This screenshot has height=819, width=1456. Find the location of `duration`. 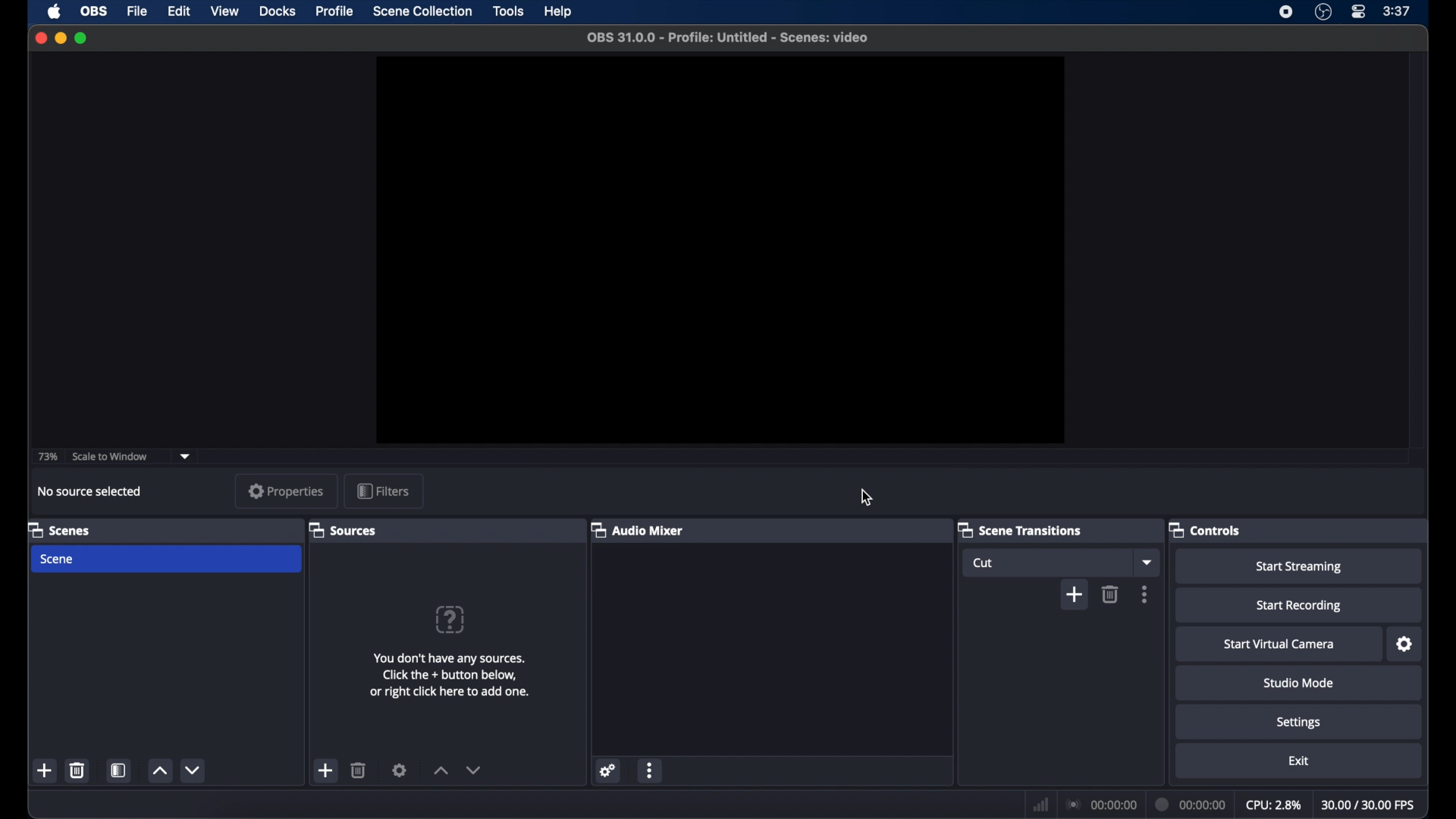

duration is located at coordinates (1192, 804).